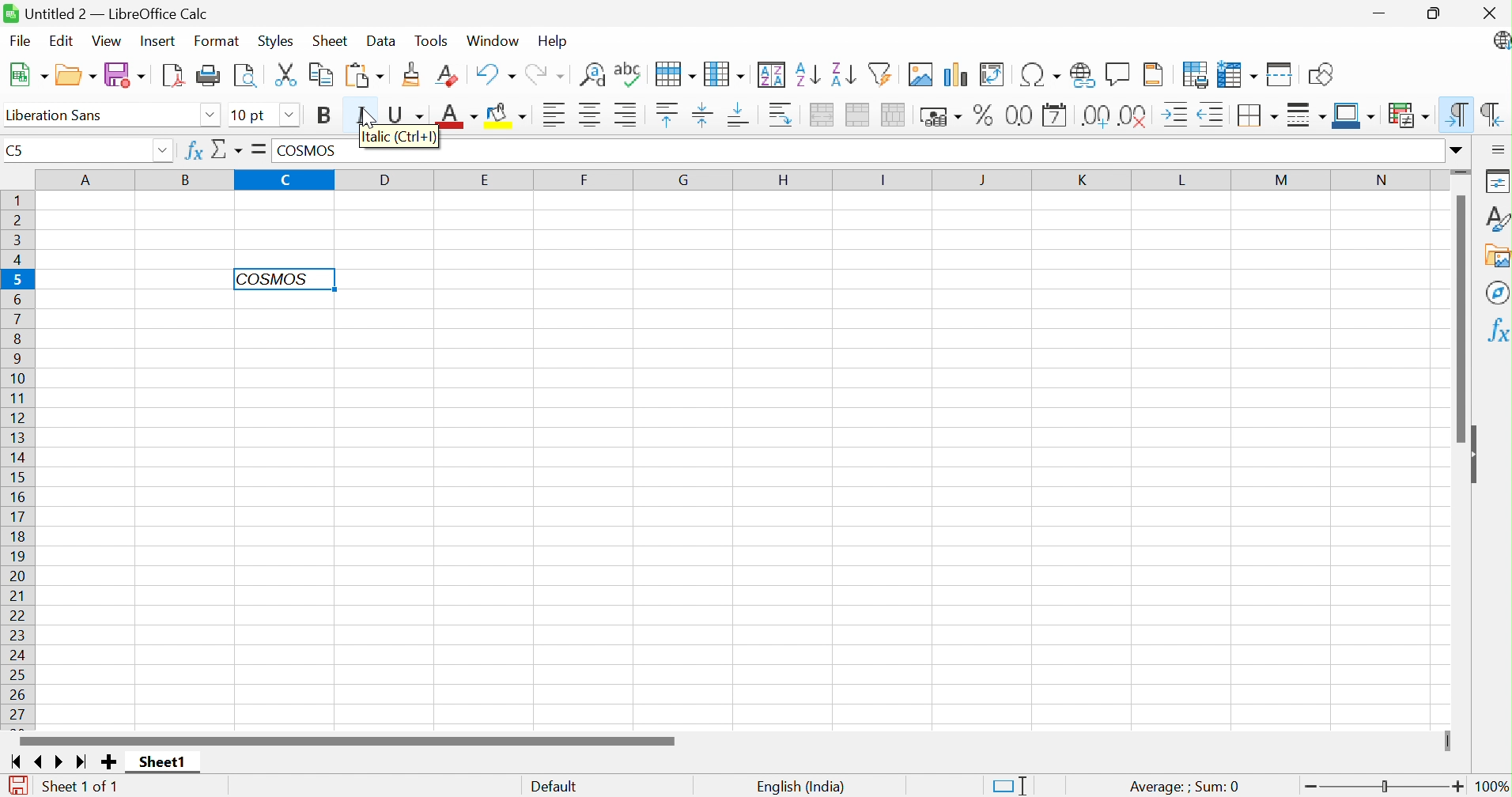 The height and width of the screenshot is (797, 1512). I want to click on Increase indent, so click(1177, 115).